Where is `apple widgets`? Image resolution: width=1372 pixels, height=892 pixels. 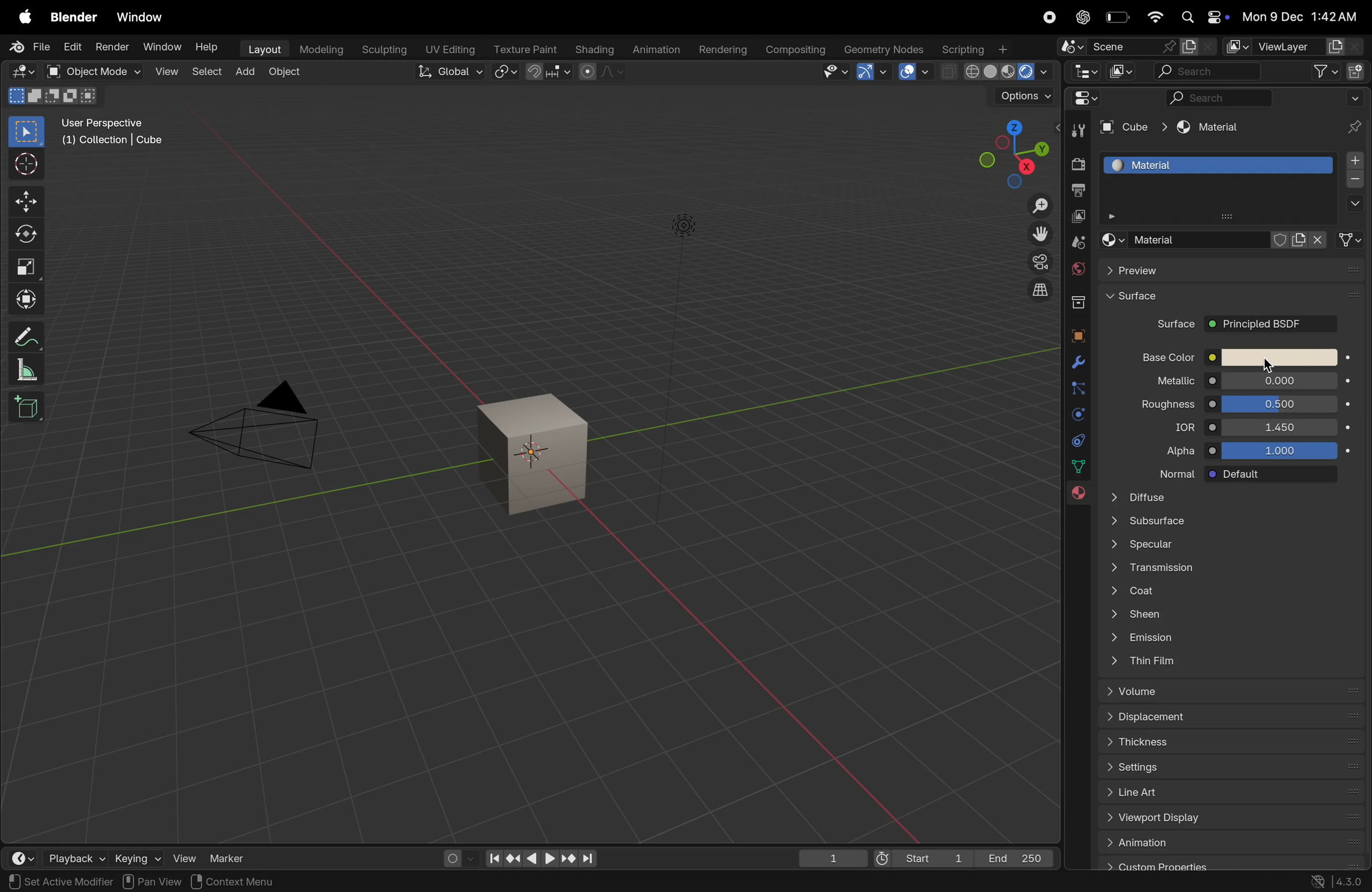 apple widgets is located at coordinates (1203, 17).